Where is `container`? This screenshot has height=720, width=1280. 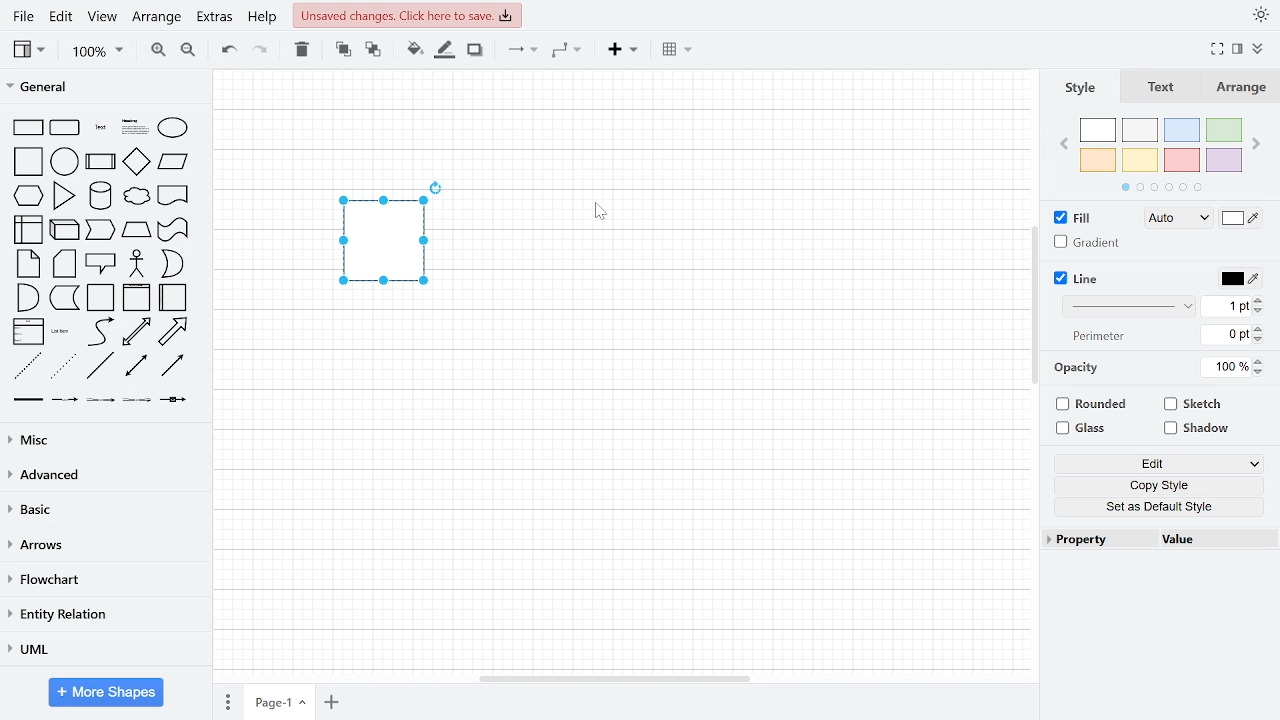
container is located at coordinates (102, 298).